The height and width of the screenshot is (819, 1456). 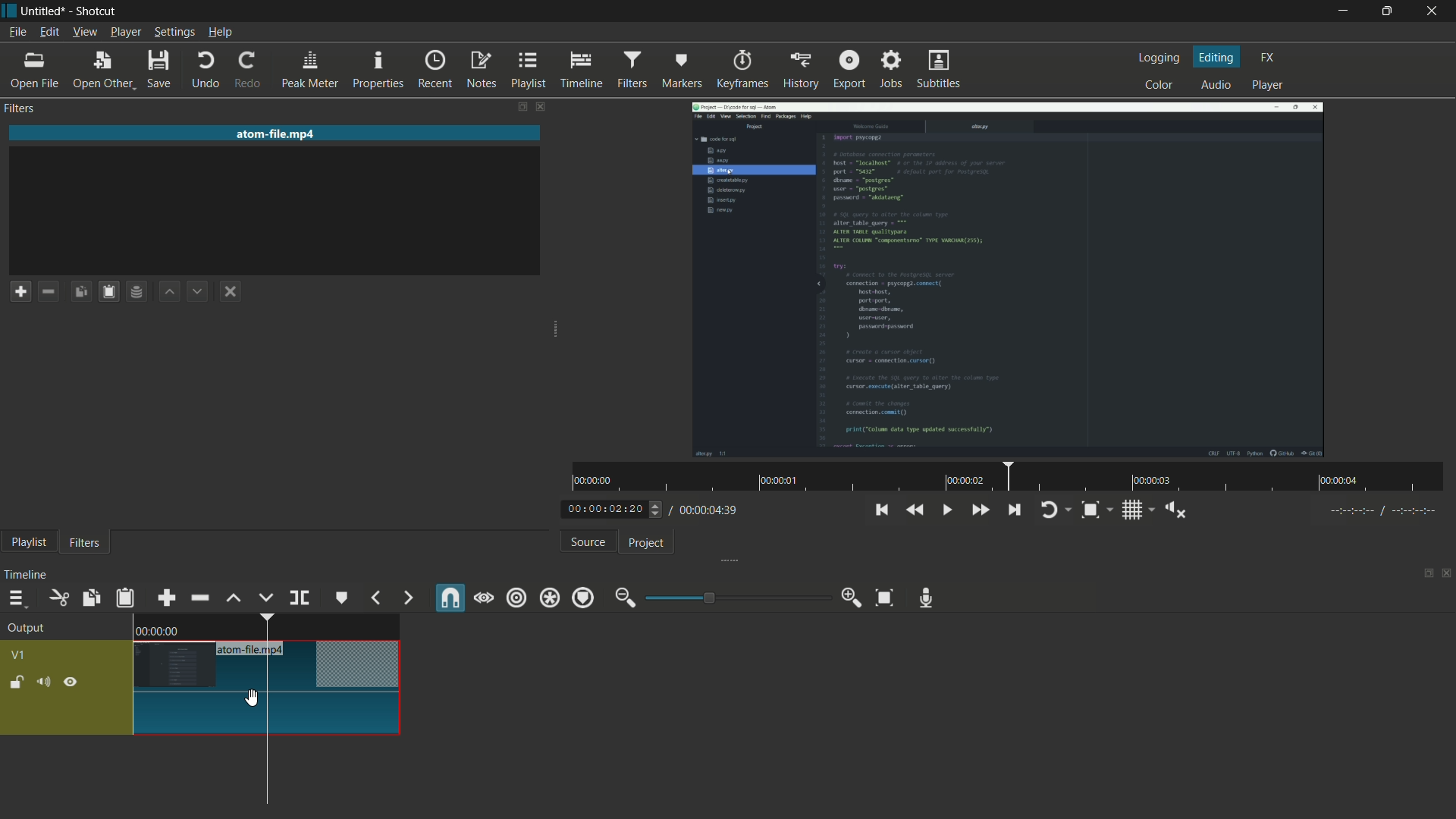 I want to click on remove a filter, so click(x=48, y=293).